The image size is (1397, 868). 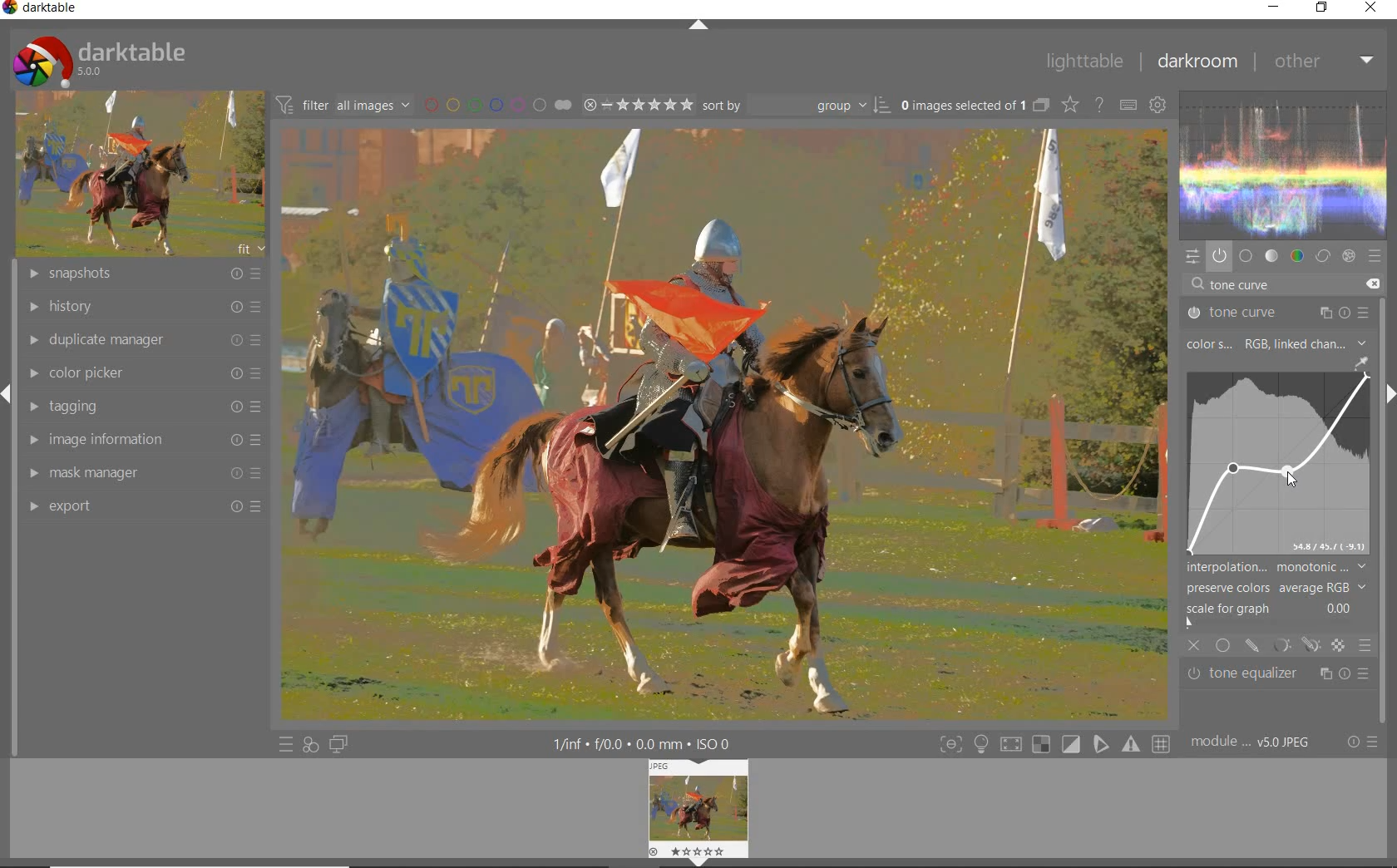 What do you see at coordinates (1279, 674) in the screenshot?
I see `tone equalizer` at bounding box center [1279, 674].